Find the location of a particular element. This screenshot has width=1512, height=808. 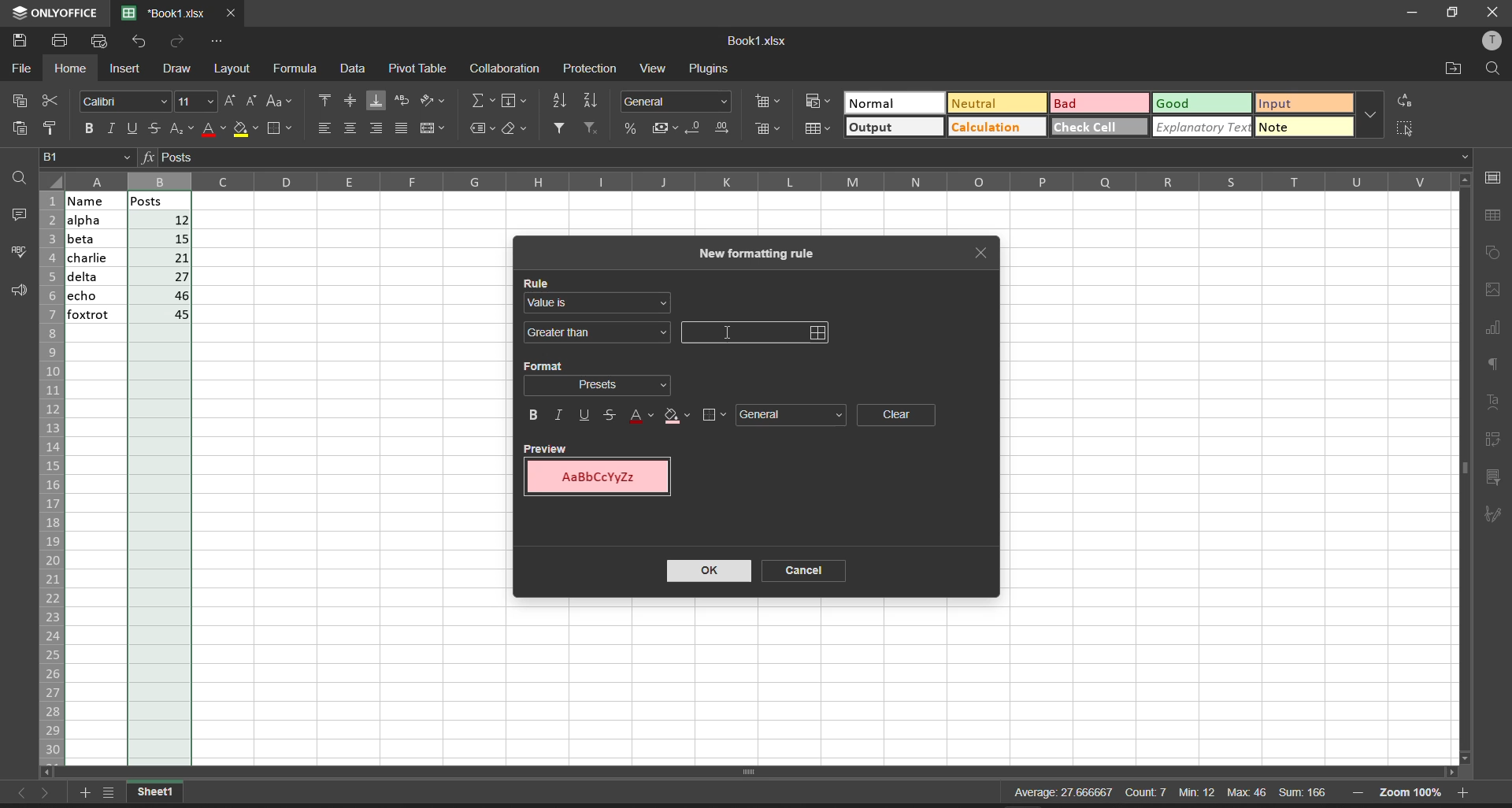

italic is located at coordinates (558, 414).